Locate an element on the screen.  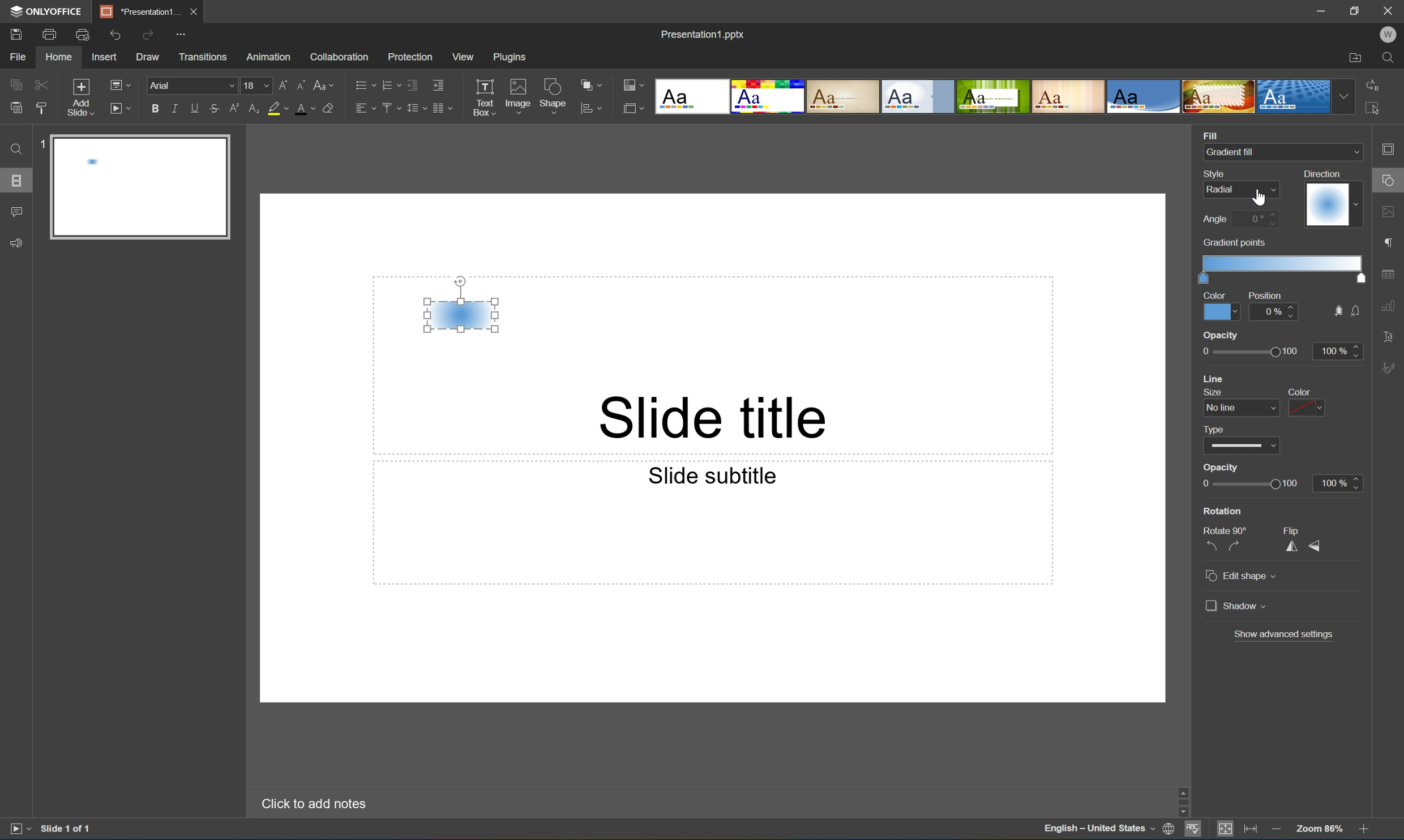
Subscript is located at coordinates (252, 109).